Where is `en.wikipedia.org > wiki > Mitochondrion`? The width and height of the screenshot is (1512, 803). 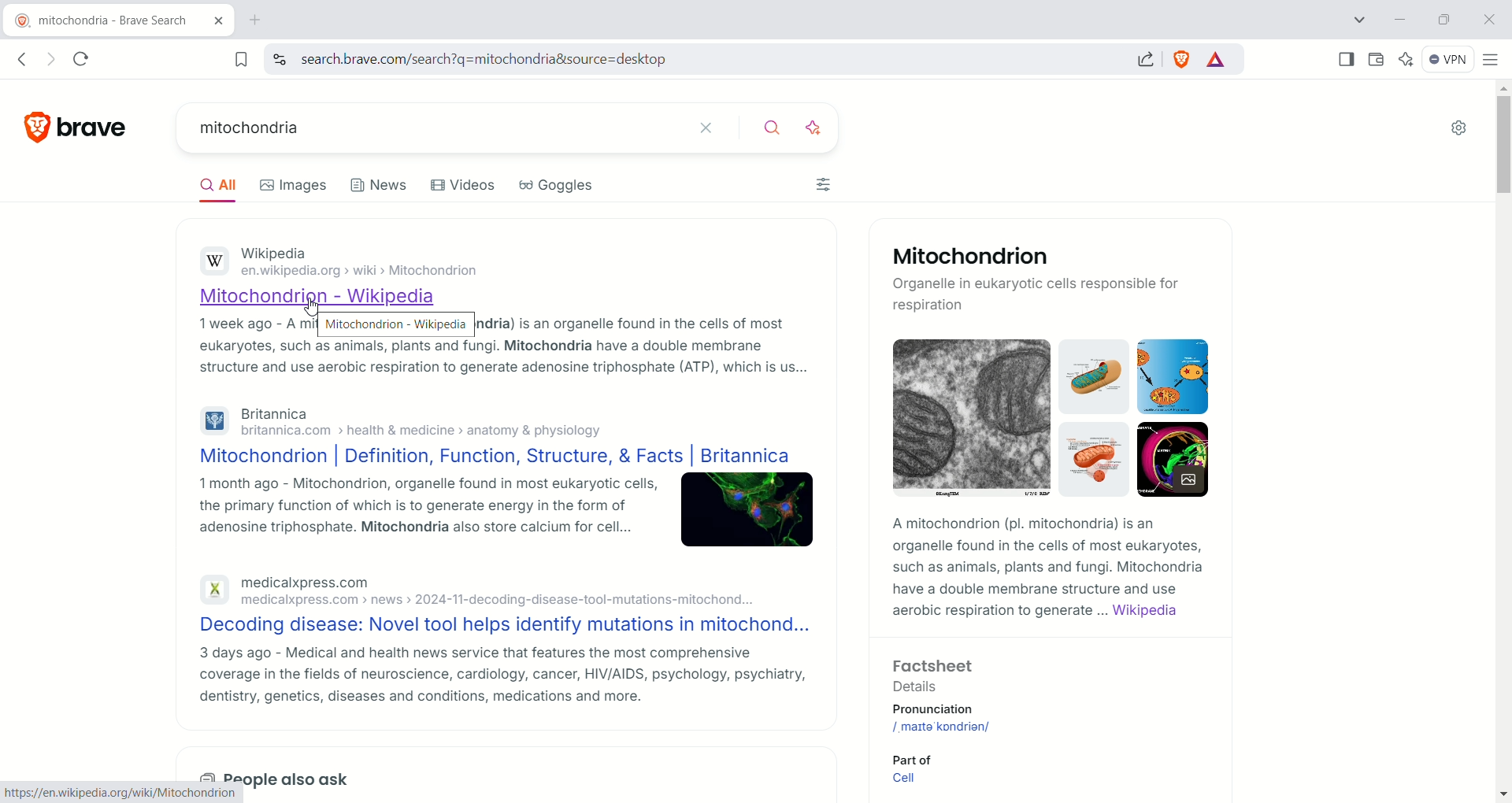
en.wikipedia.org > wiki > Mitochondrion is located at coordinates (366, 271).